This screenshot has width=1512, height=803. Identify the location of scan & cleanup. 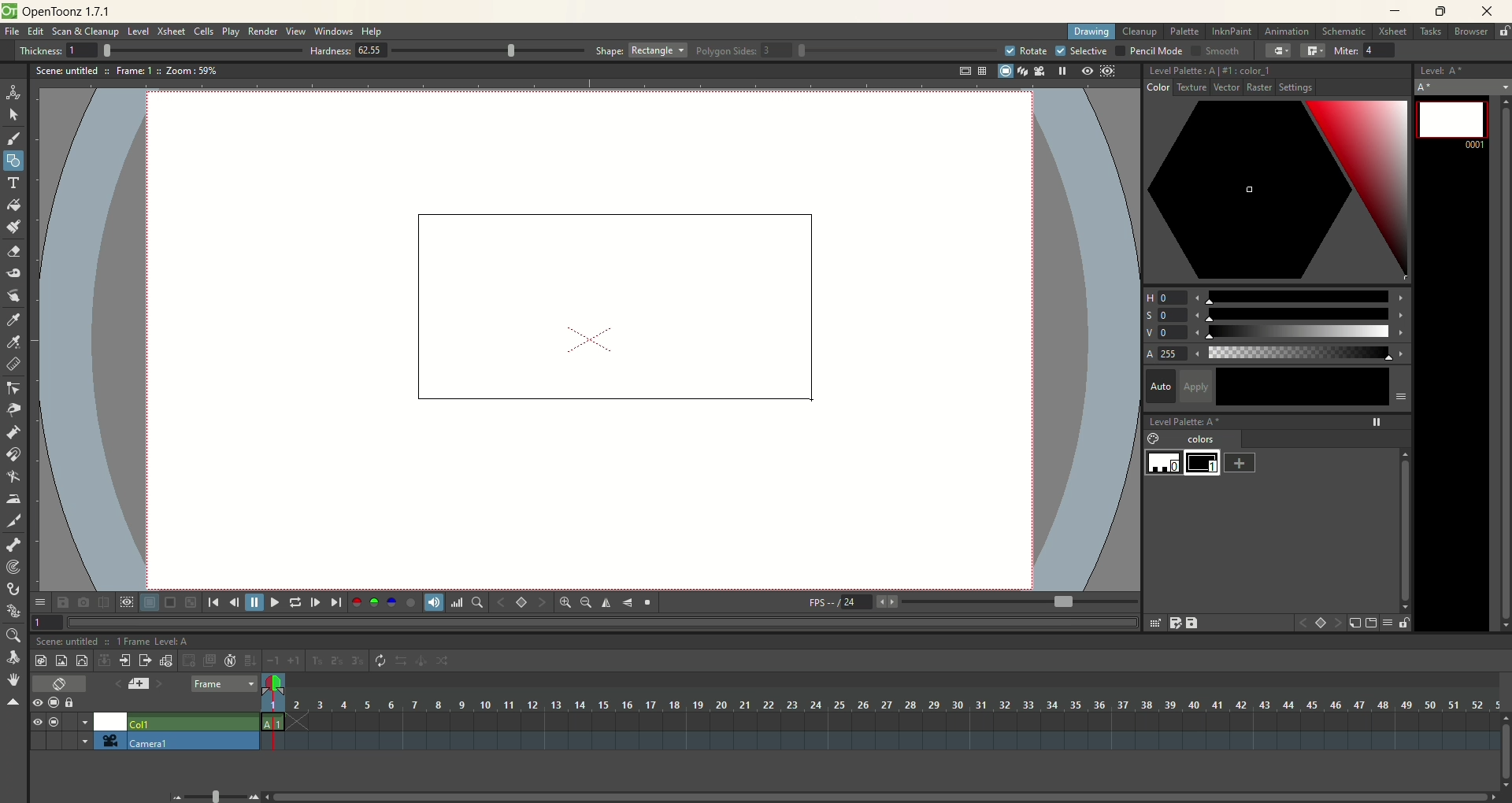
(91, 33).